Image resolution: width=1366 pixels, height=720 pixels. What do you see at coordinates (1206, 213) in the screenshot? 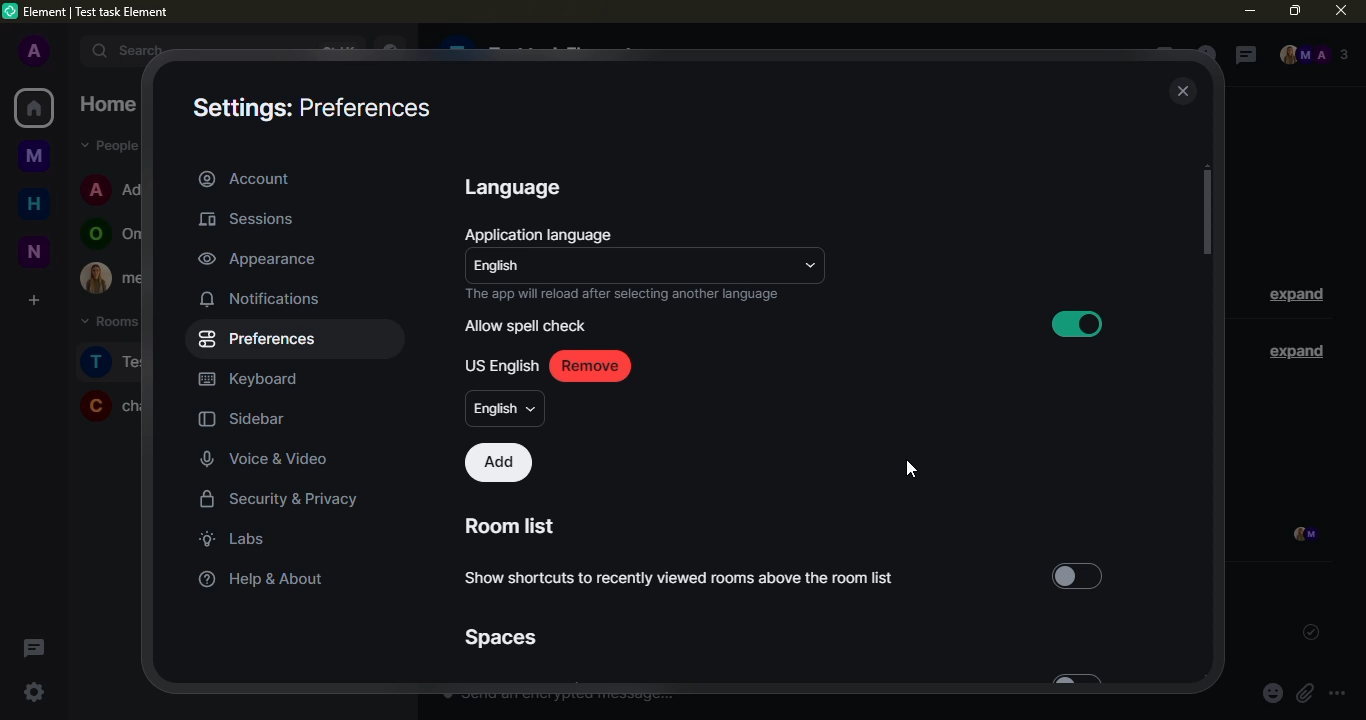
I see `scroll bar` at bounding box center [1206, 213].